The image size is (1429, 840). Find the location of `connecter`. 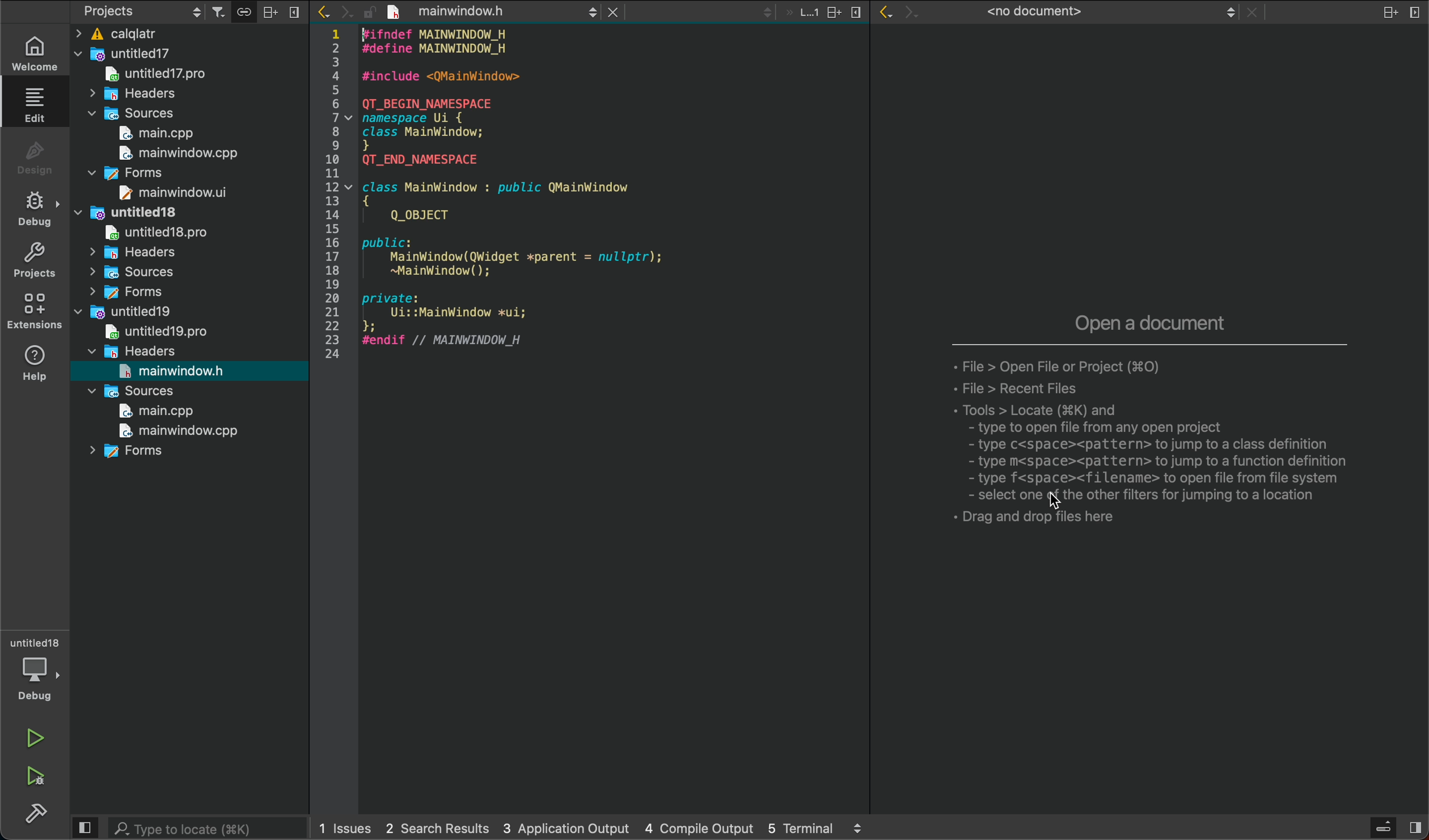

connecter is located at coordinates (250, 13).